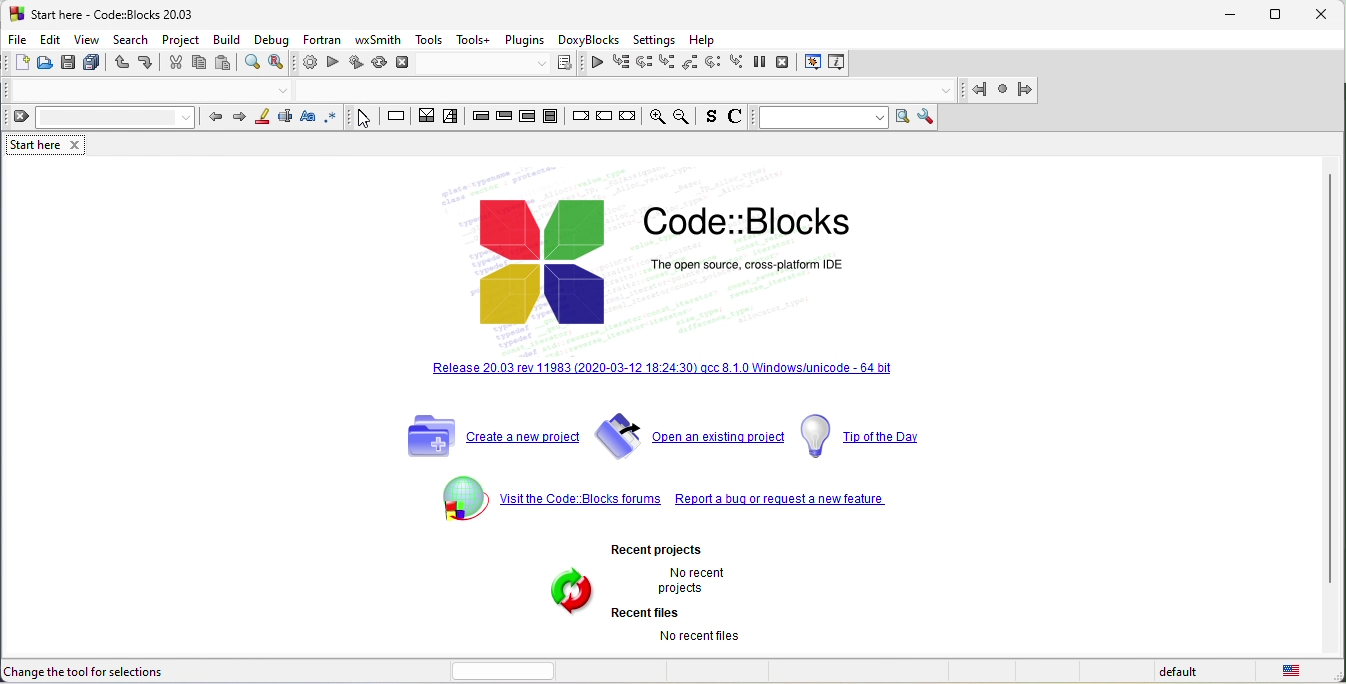 The image size is (1346, 684). I want to click on show option window, so click(926, 117).